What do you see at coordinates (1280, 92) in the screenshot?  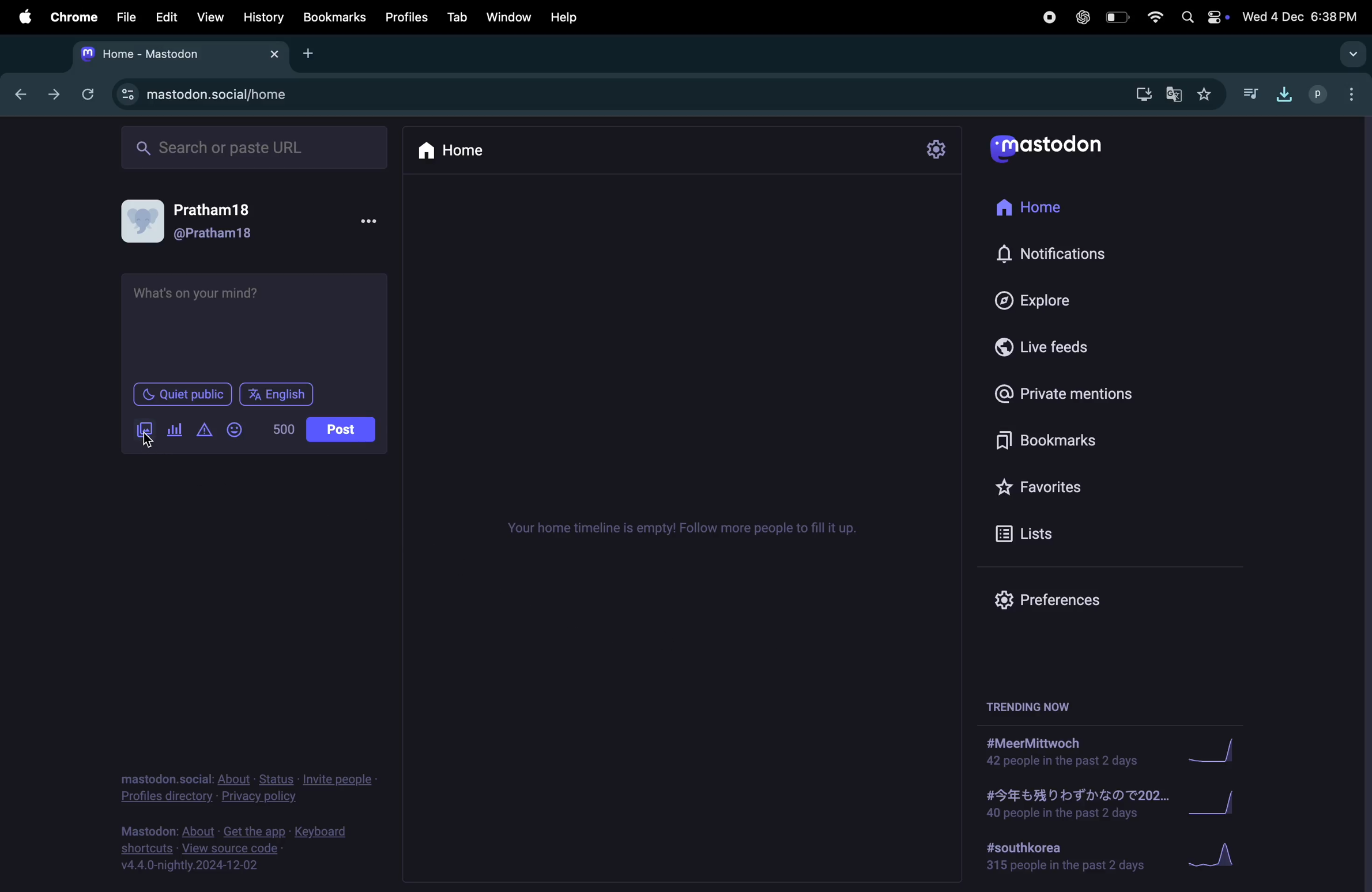 I see `download` at bounding box center [1280, 92].